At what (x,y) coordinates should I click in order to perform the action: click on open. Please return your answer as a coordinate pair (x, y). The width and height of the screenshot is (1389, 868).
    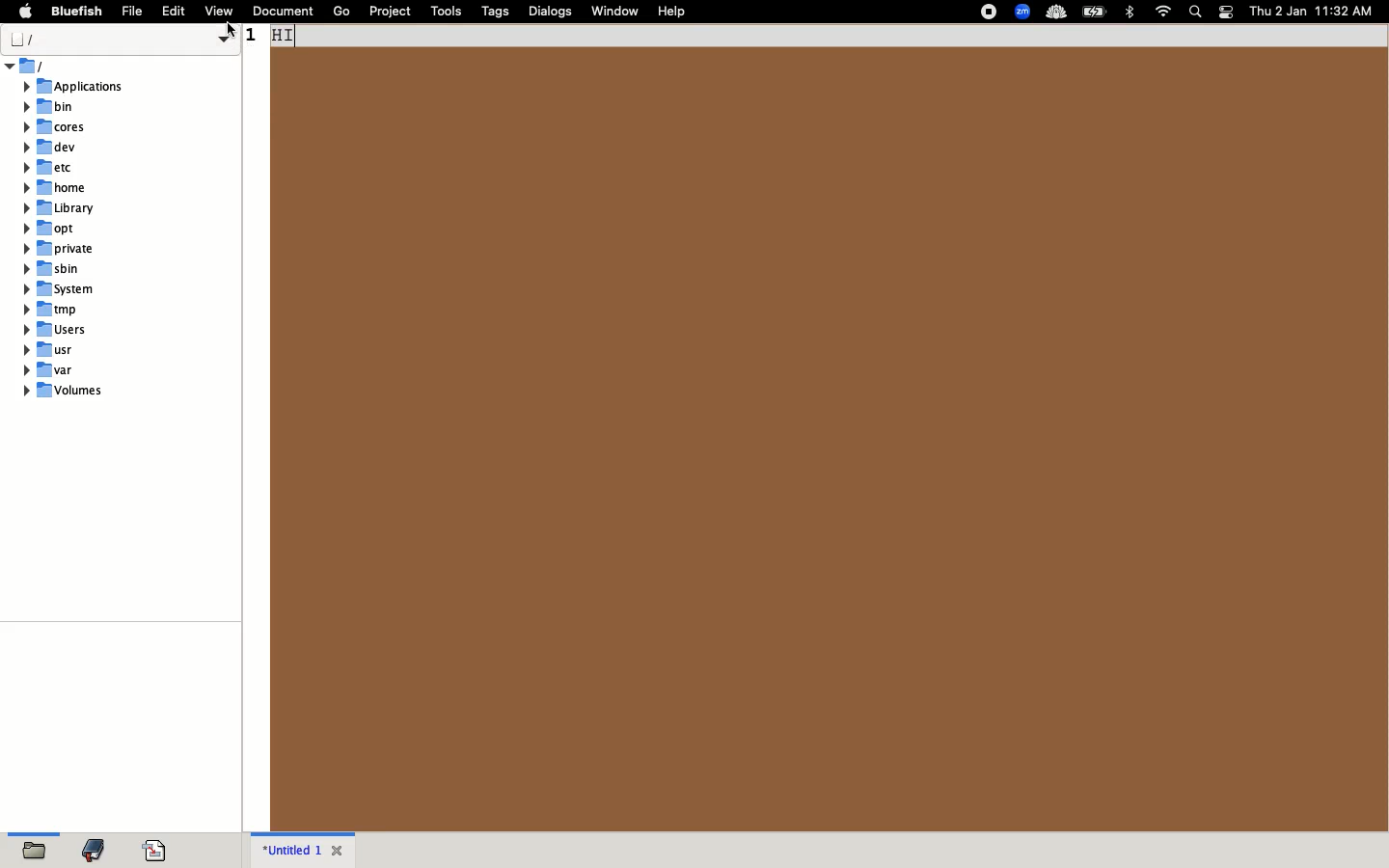
    Looking at the image, I should click on (36, 849).